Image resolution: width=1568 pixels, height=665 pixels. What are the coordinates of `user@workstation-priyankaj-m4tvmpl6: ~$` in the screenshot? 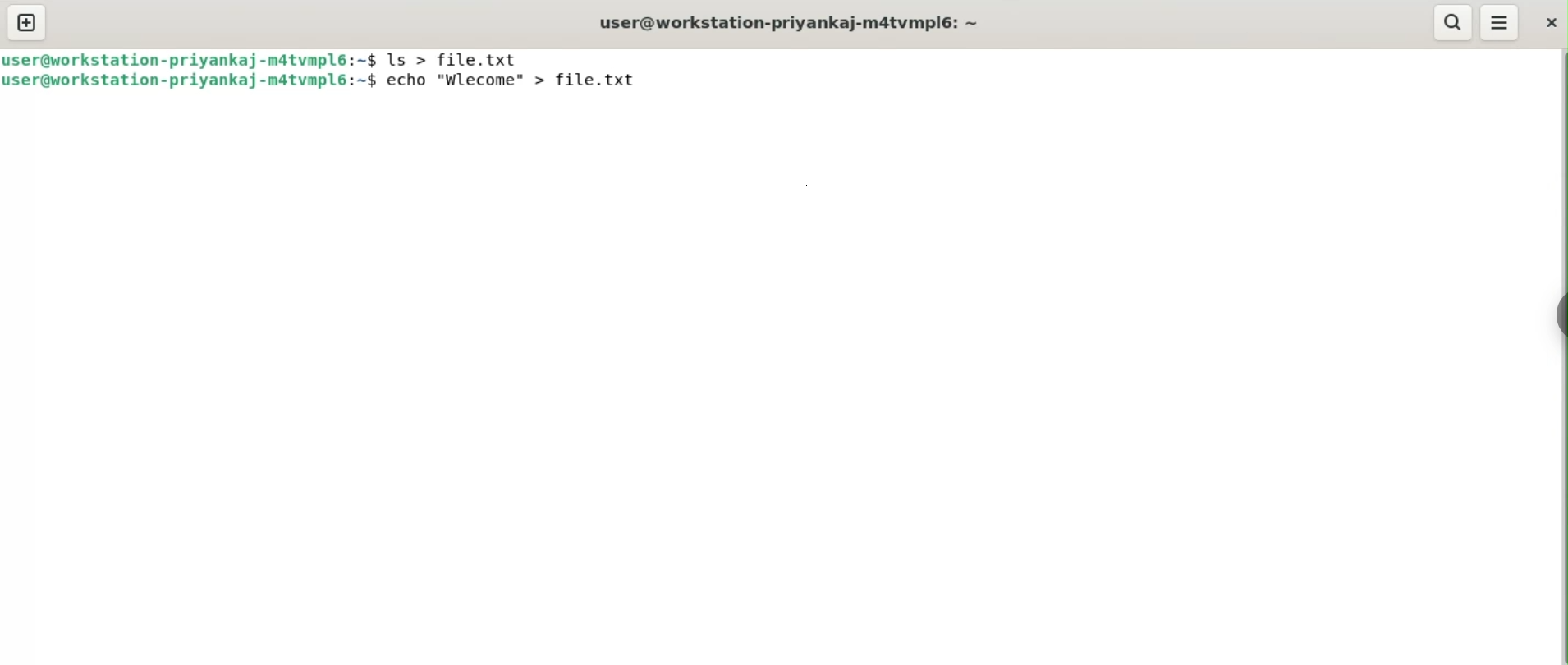 It's located at (189, 83).